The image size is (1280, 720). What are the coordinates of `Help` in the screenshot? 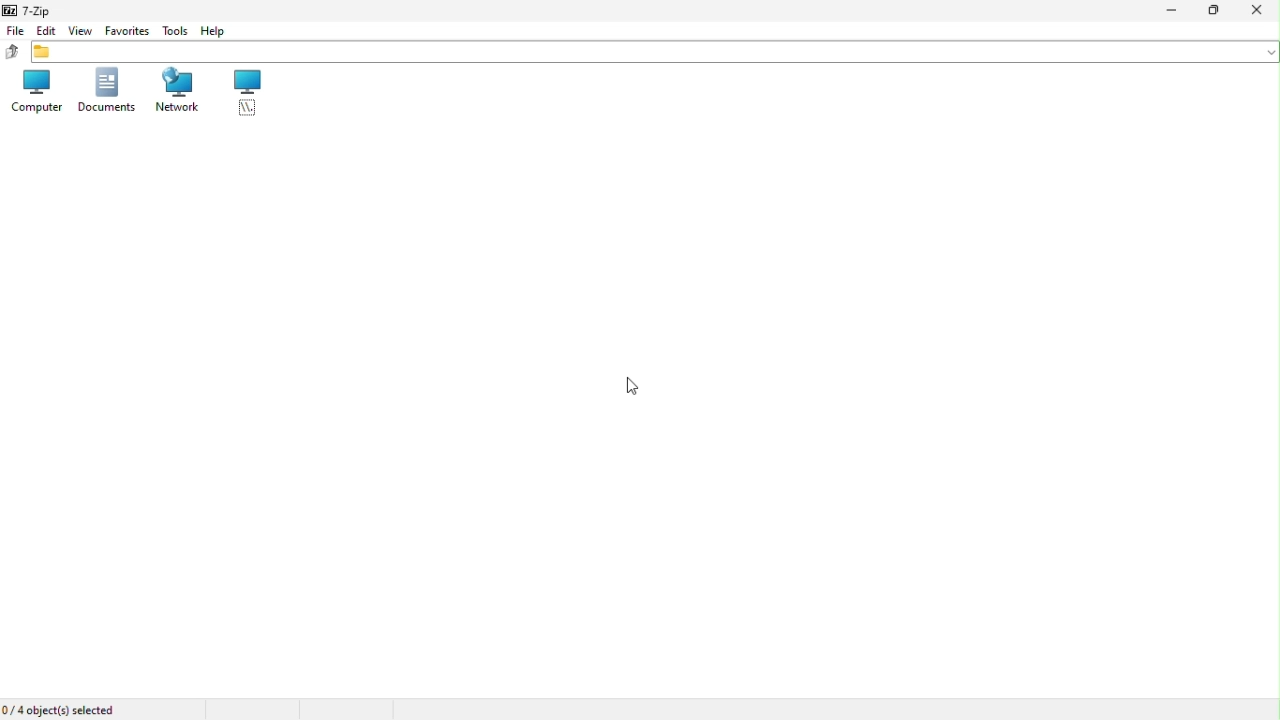 It's located at (214, 33).